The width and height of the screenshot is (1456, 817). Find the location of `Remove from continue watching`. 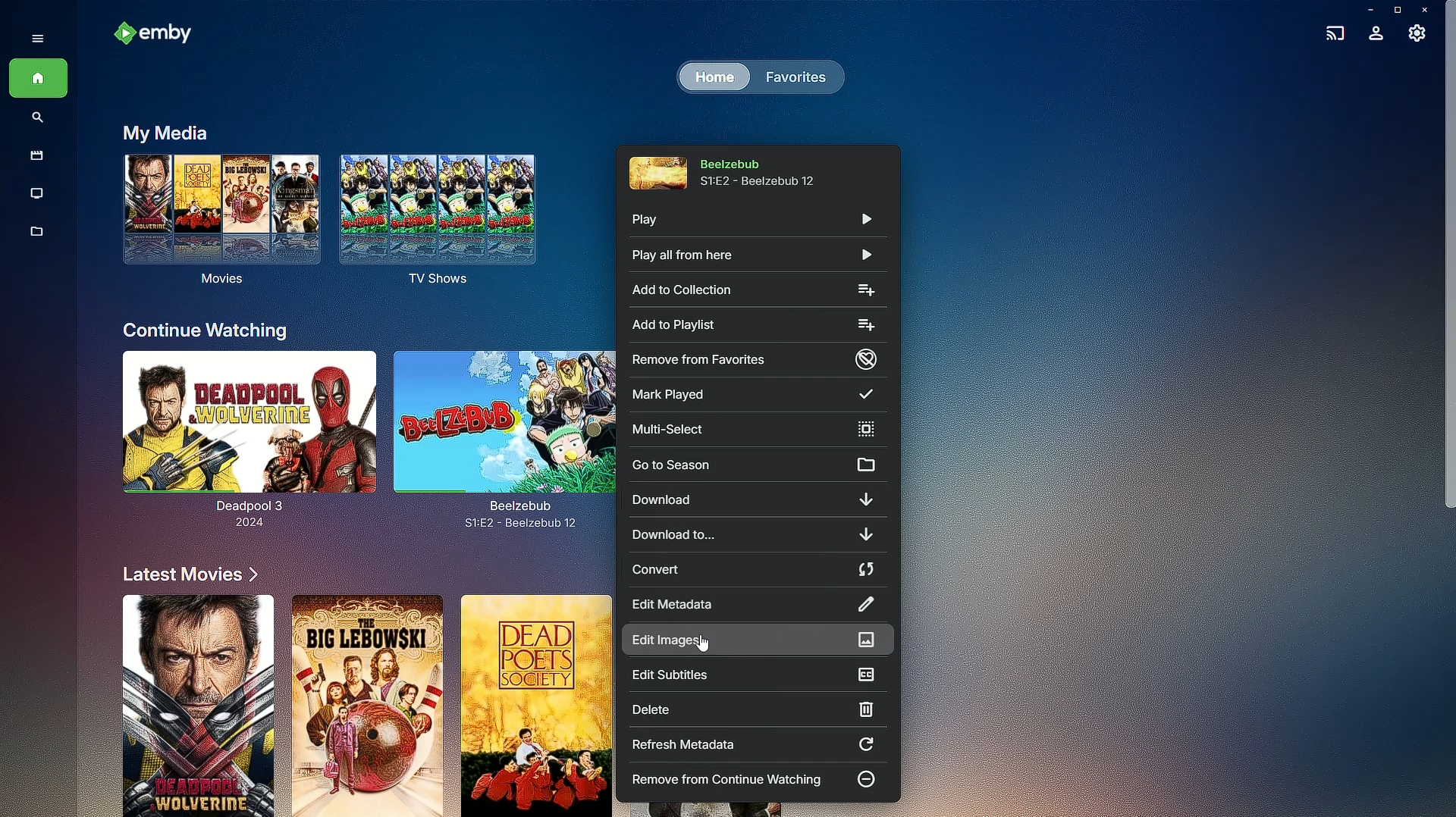

Remove from continue watching is located at coordinates (757, 780).